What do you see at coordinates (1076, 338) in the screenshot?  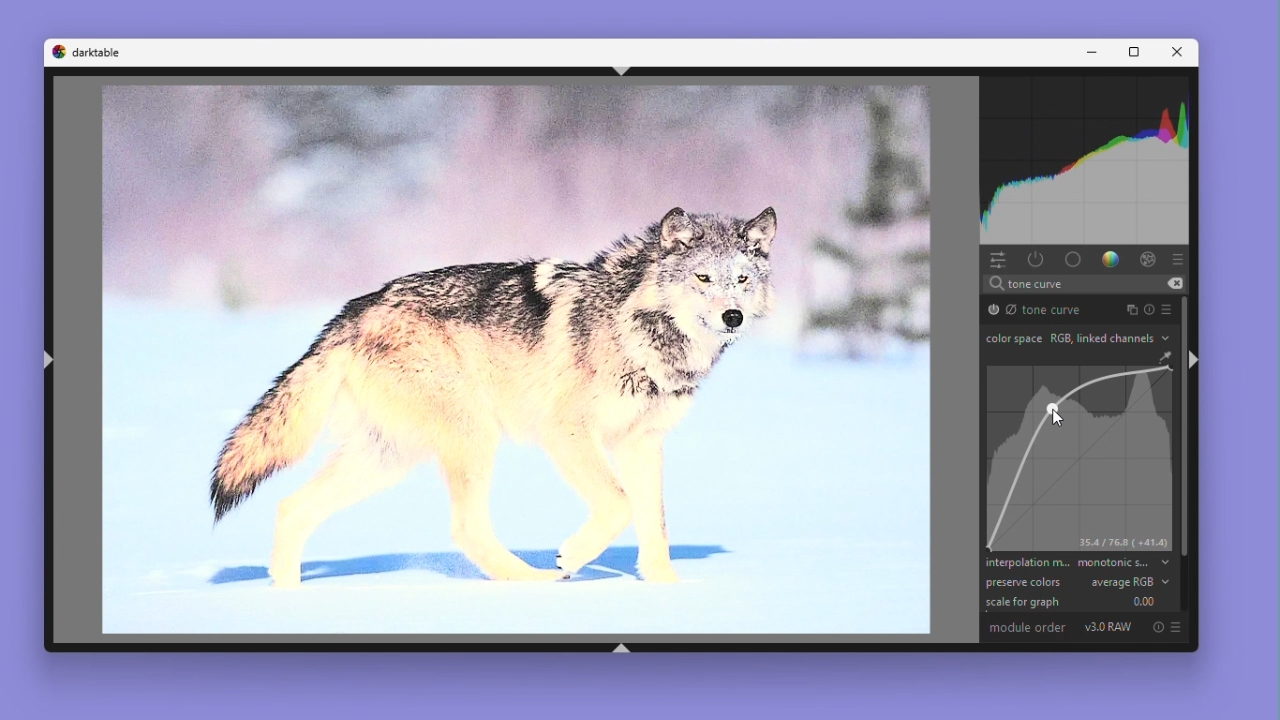 I see `Colour space RGB link channels` at bounding box center [1076, 338].